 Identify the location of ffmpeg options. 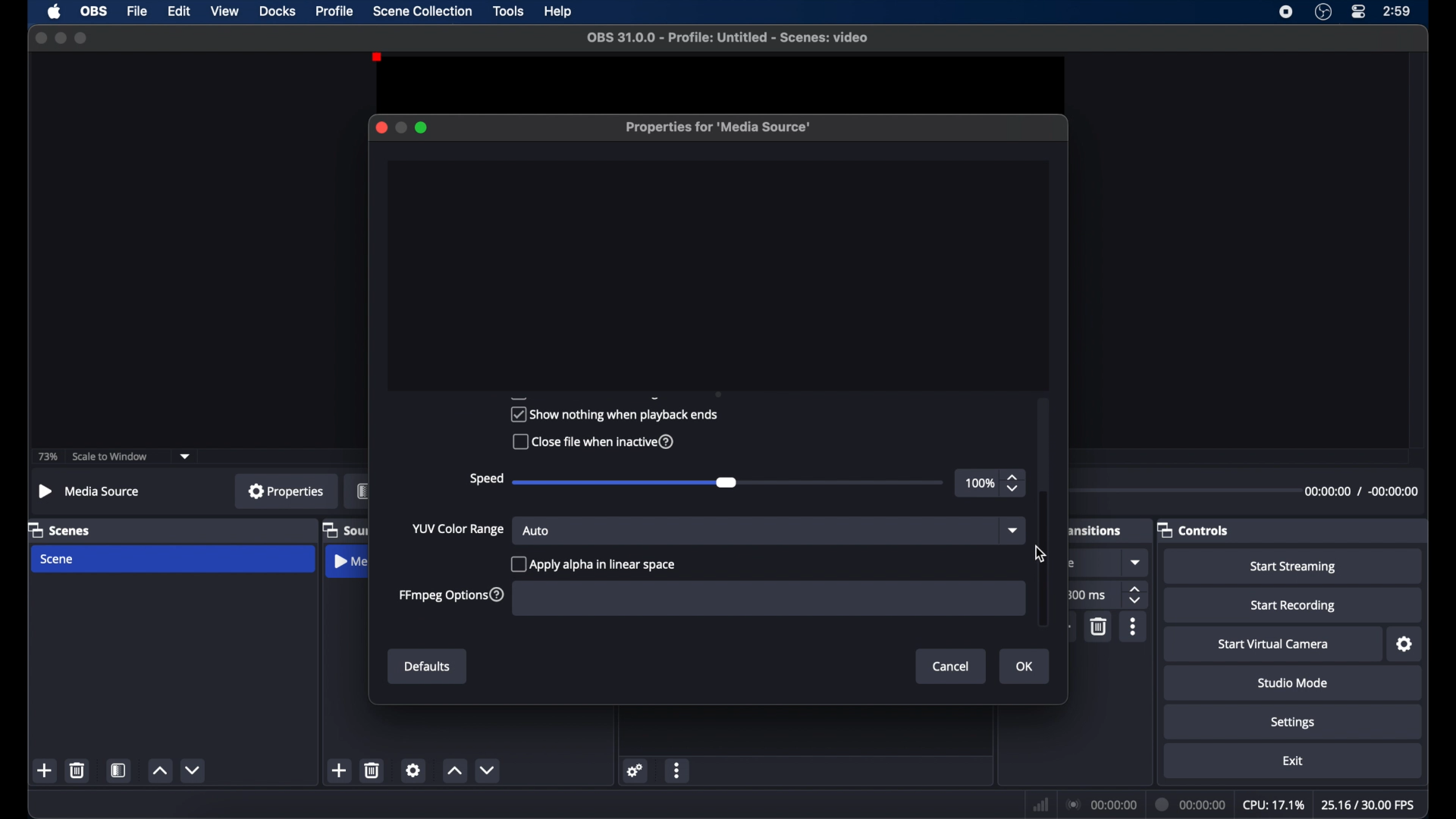
(452, 595).